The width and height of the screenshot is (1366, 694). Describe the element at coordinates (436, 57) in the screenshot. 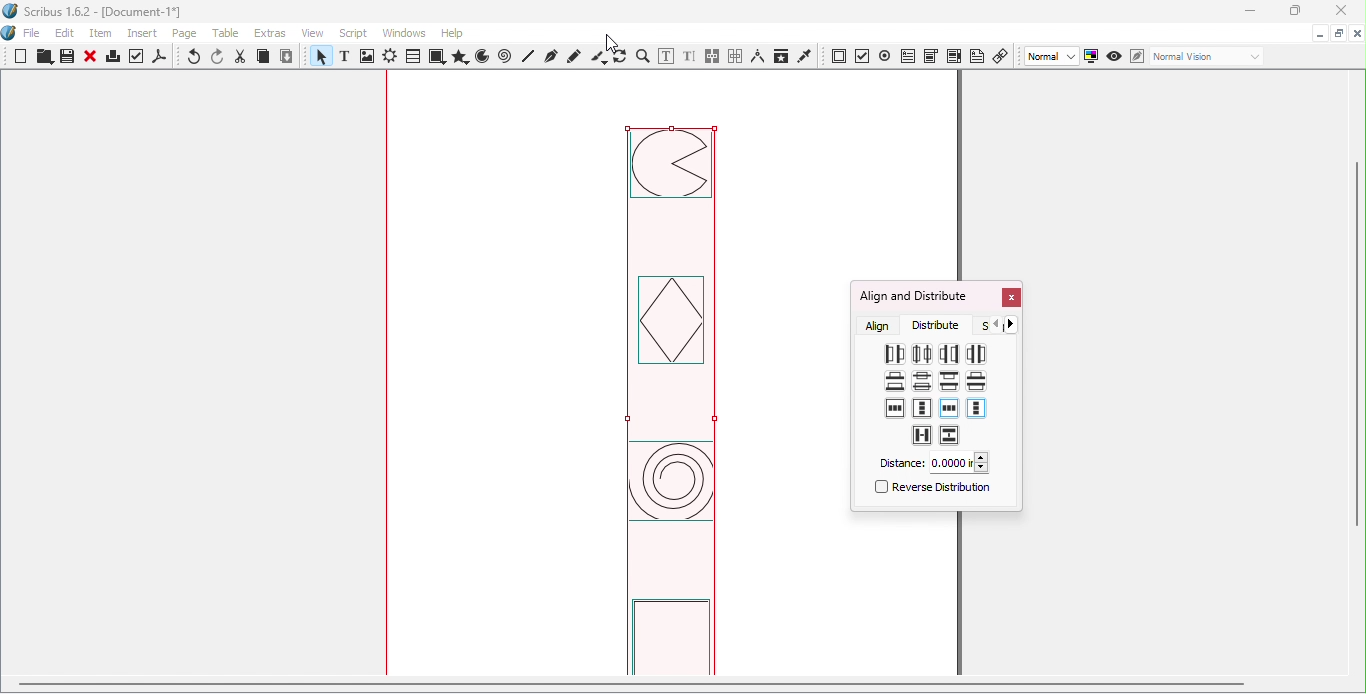

I see `Shapes` at that location.